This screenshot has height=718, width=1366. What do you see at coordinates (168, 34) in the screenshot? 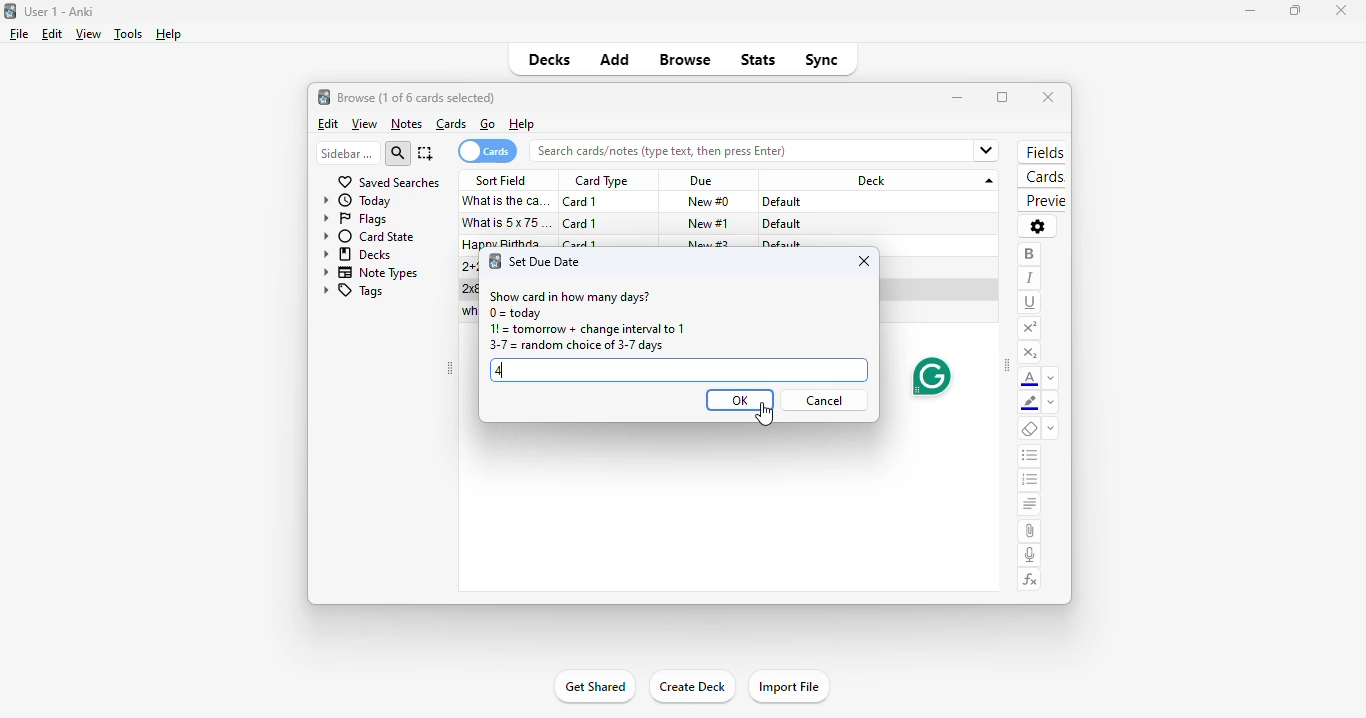
I see `help` at bounding box center [168, 34].